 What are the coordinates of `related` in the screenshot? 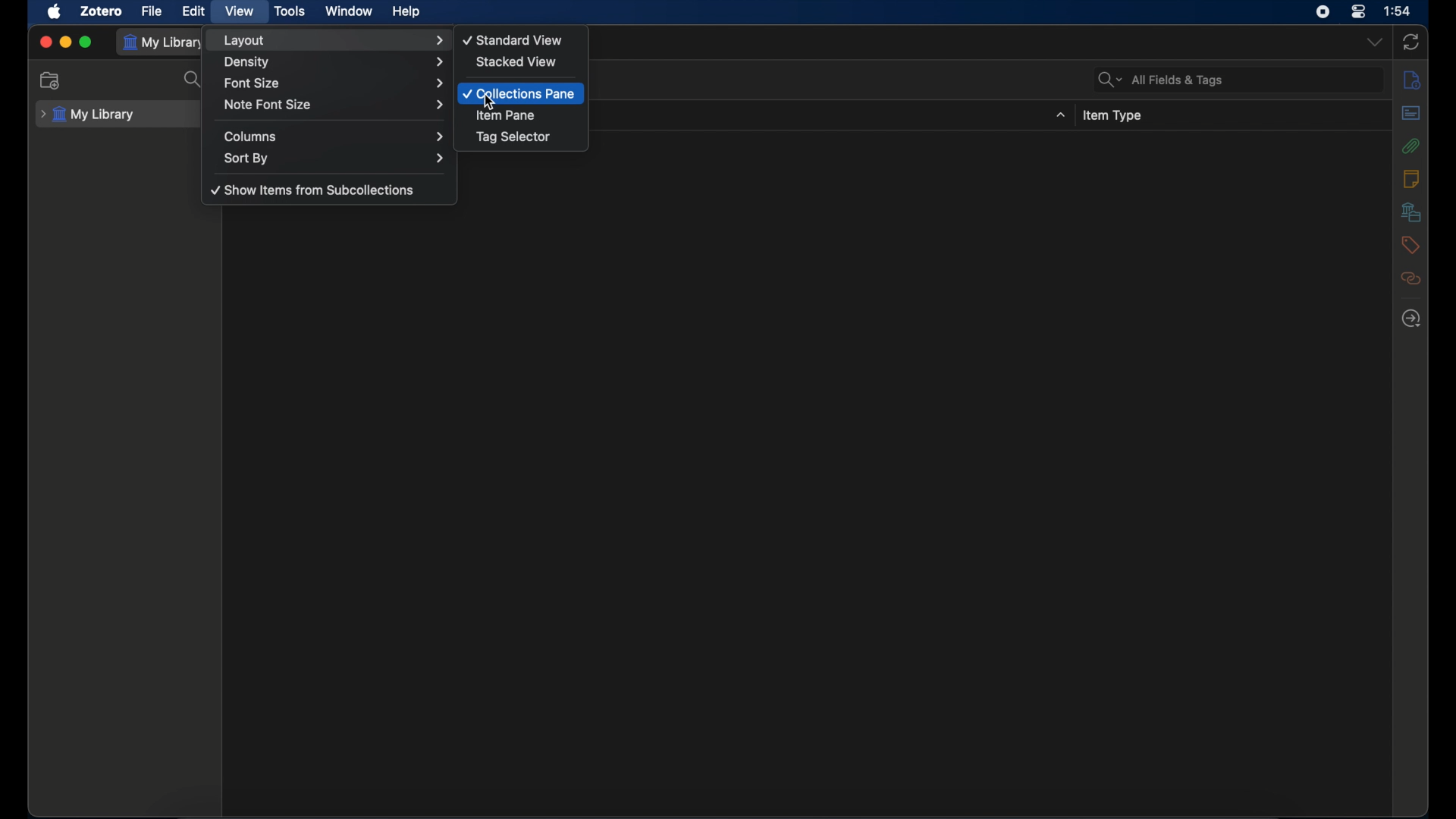 It's located at (1411, 279).